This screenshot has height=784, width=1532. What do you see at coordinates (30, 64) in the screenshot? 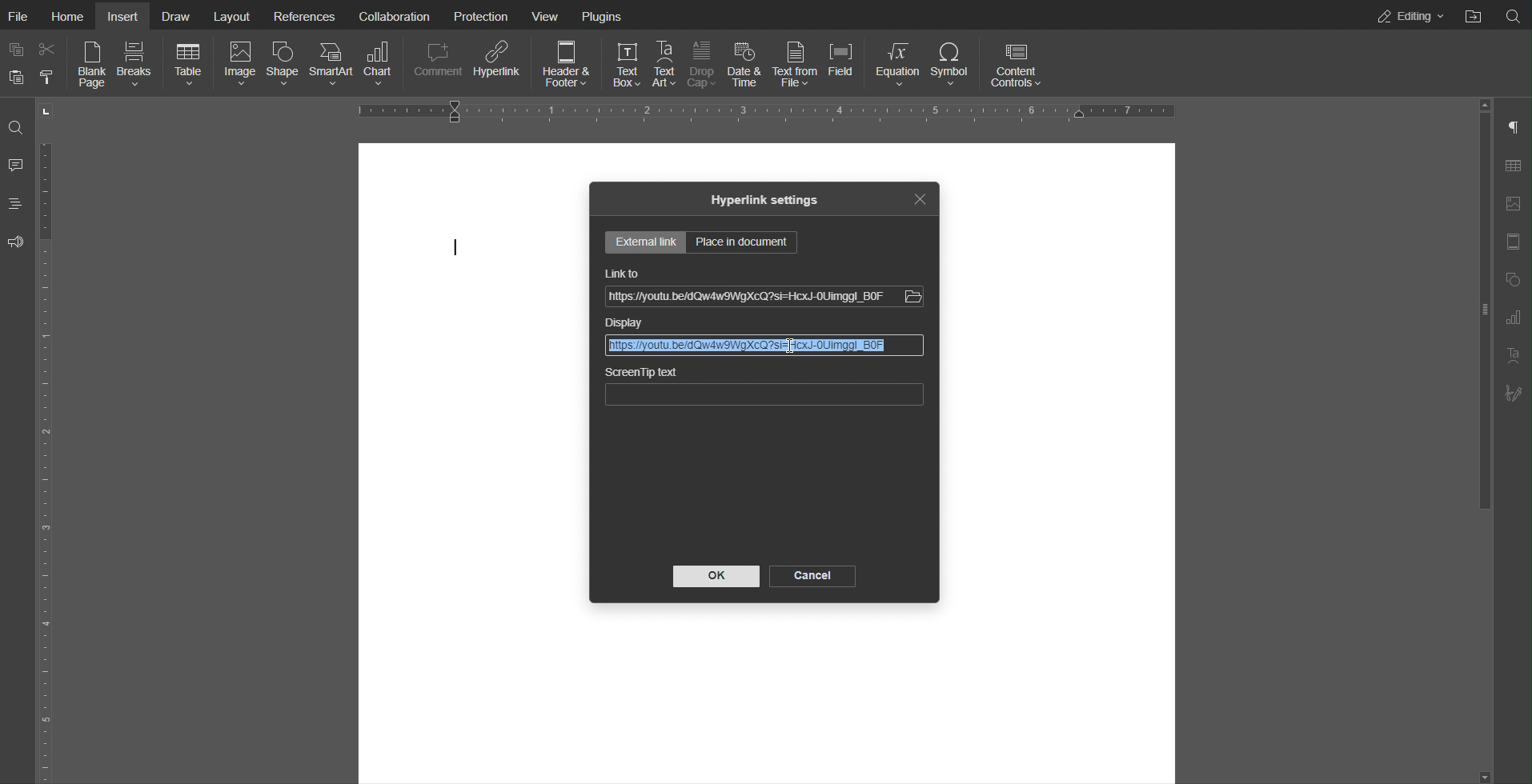
I see `Copy Paste Options` at bounding box center [30, 64].